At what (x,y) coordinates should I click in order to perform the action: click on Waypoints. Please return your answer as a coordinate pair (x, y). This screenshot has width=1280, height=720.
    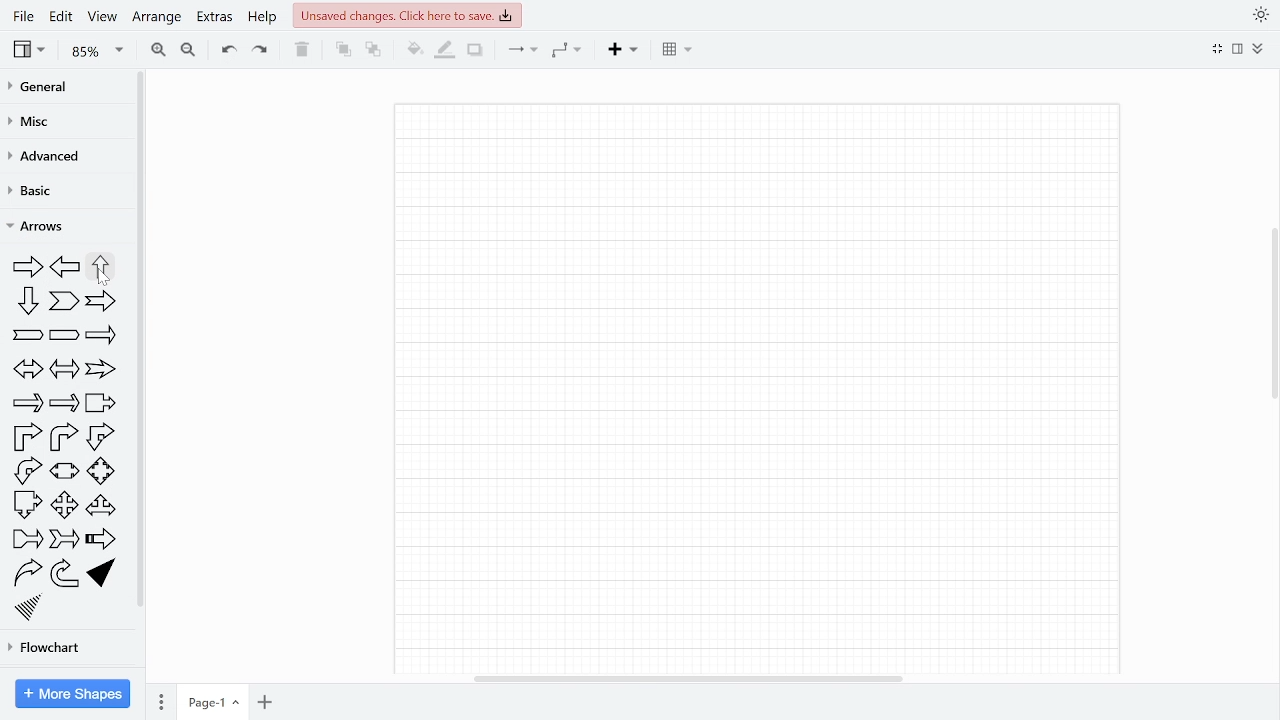
    Looking at the image, I should click on (569, 50).